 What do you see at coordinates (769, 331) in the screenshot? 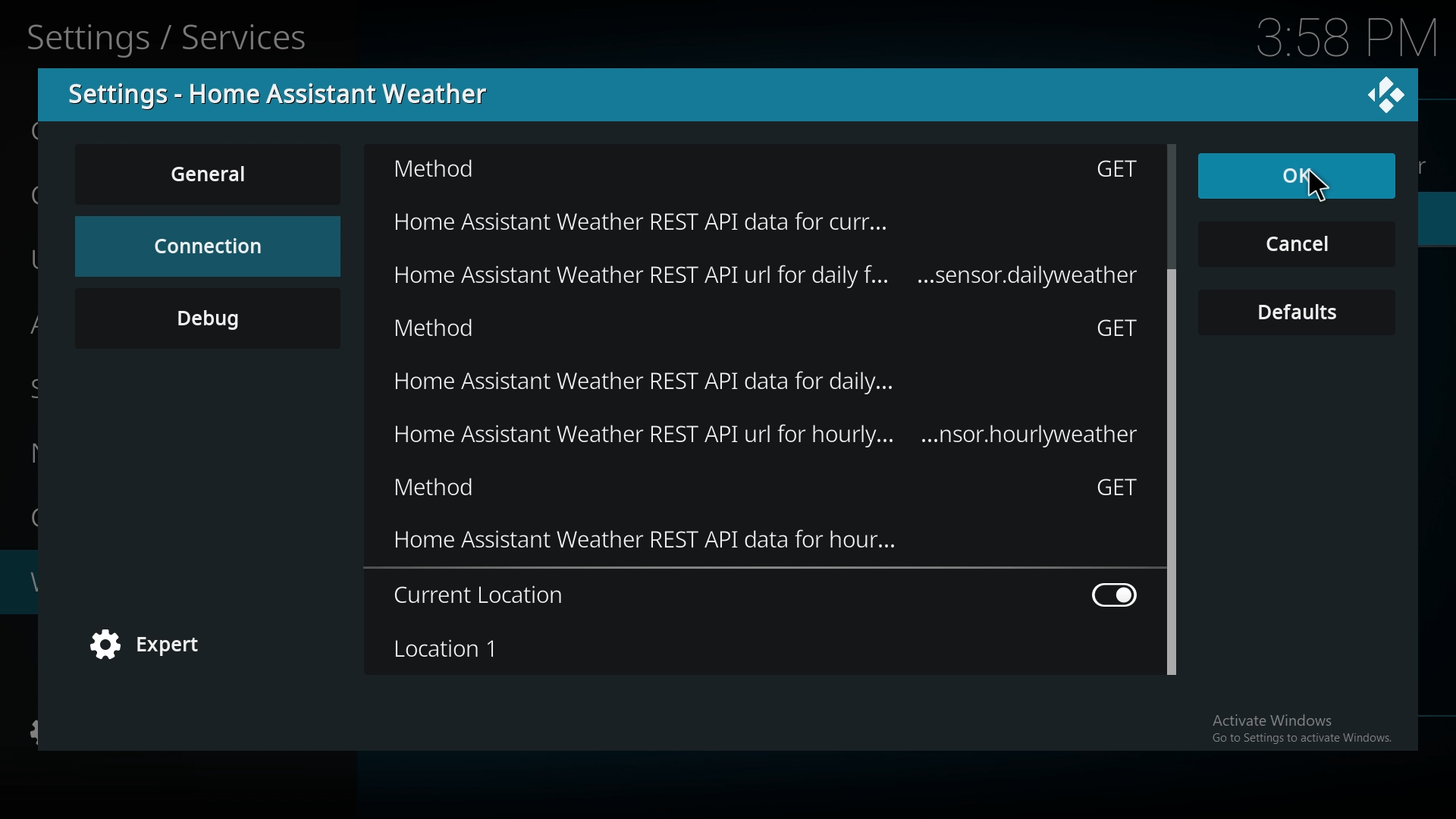
I see `method` at bounding box center [769, 331].